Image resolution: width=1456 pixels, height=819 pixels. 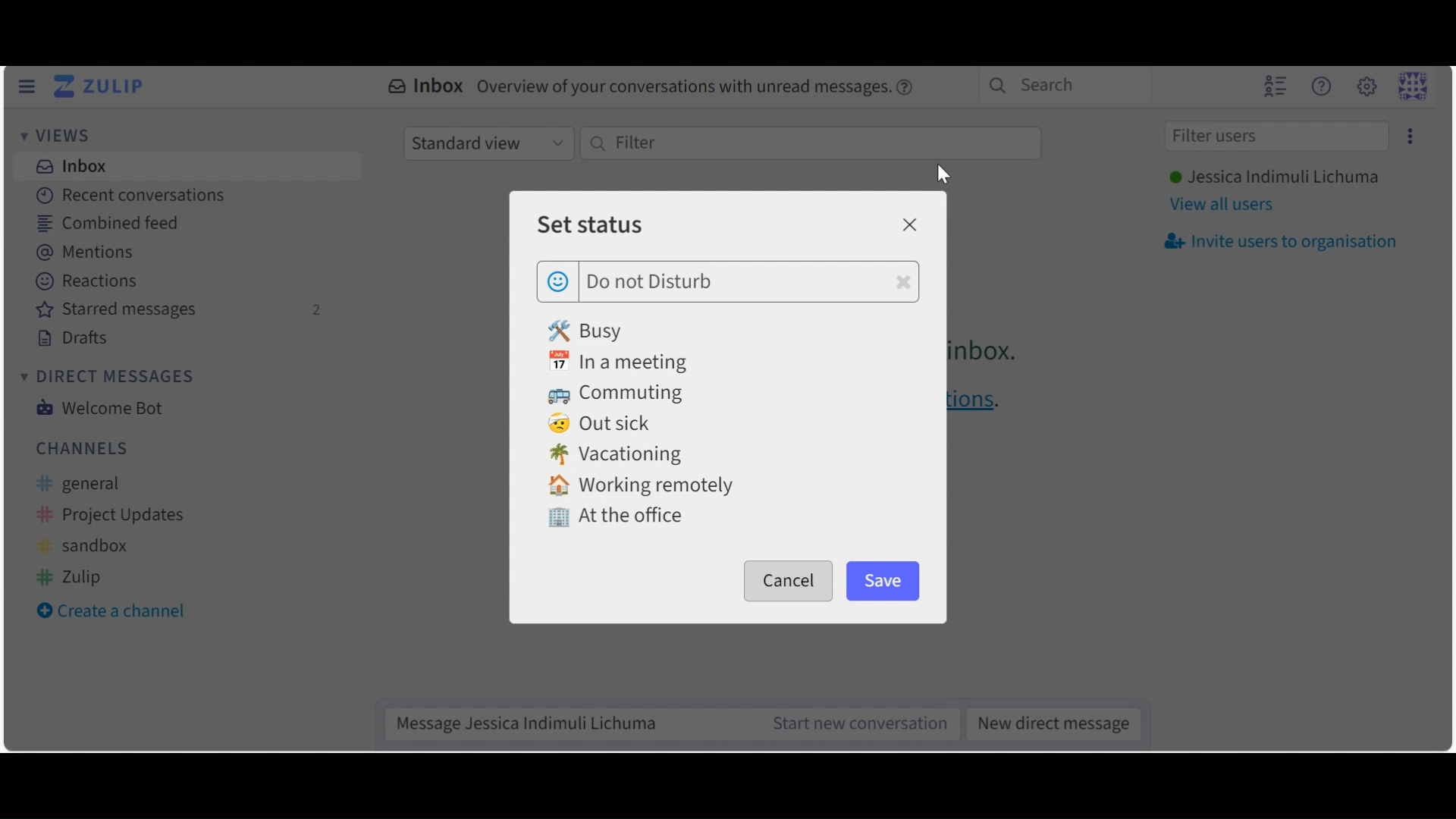 What do you see at coordinates (566, 723) in the screenshot?
I see `Reply message` at bounding box center [566, 723].